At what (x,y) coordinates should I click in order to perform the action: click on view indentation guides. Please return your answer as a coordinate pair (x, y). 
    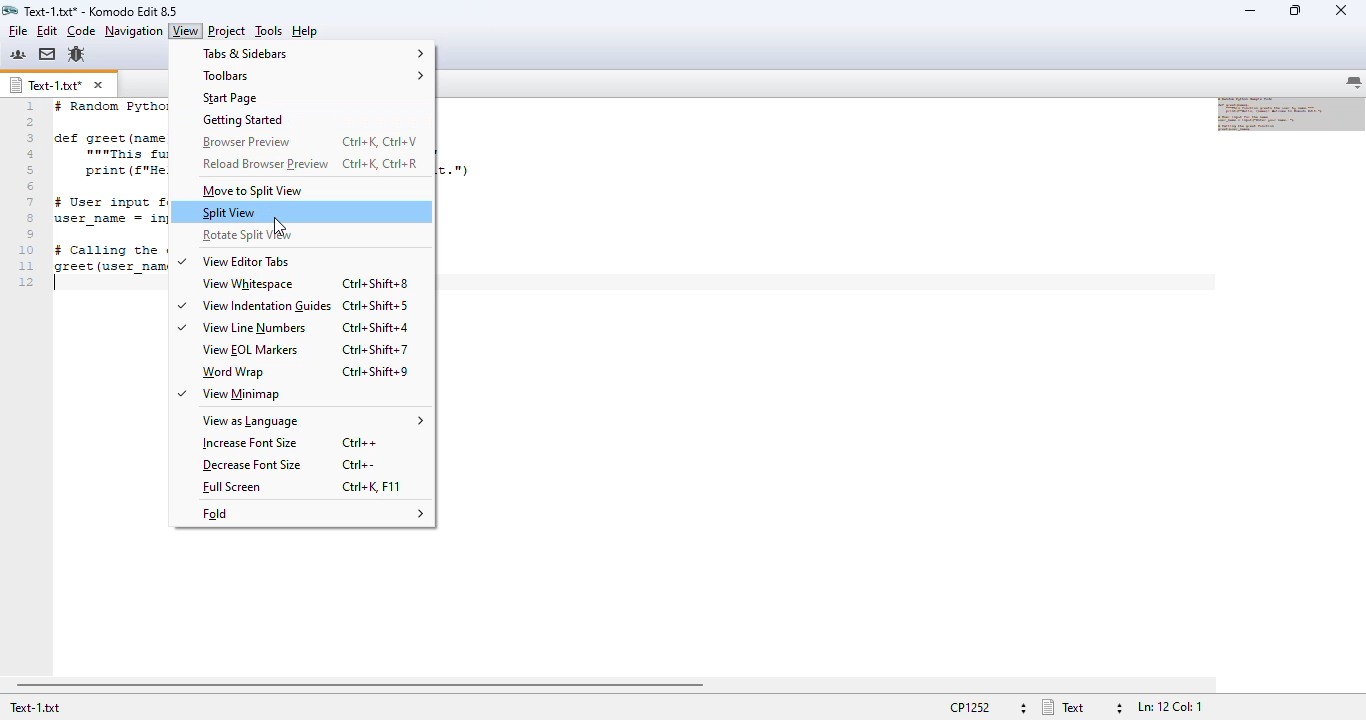
    Looking at the image, I should click on (254, 306).